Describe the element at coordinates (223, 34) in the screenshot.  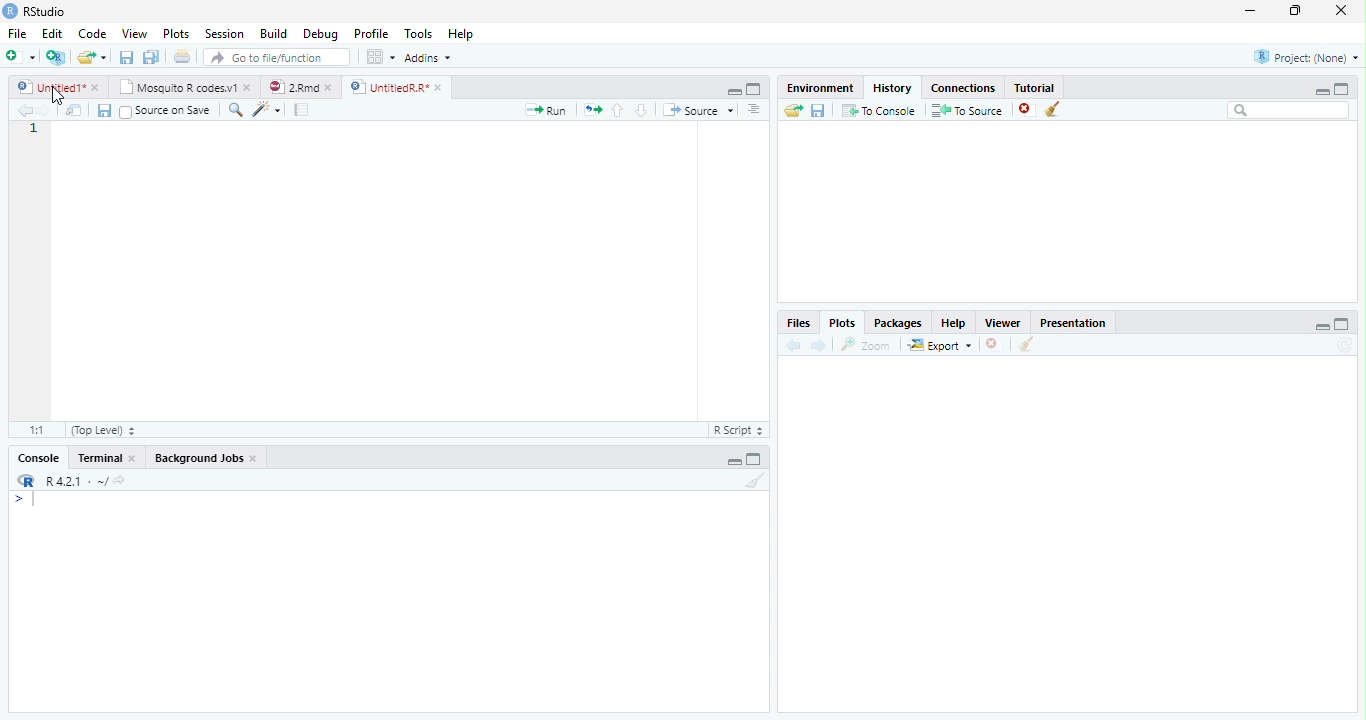
I see `Session` at that location.